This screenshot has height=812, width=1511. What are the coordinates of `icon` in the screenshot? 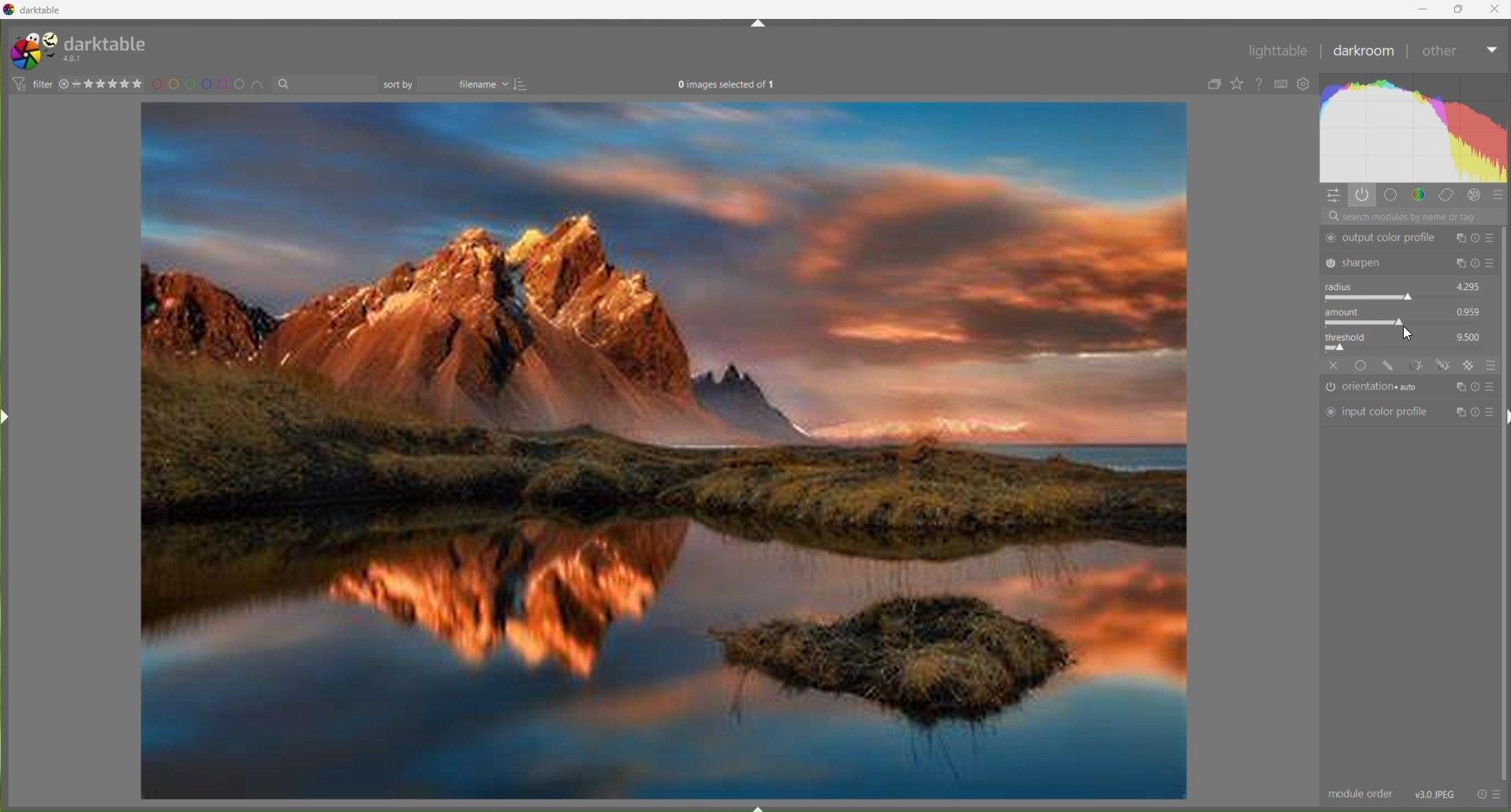 It's located at (17, 84).